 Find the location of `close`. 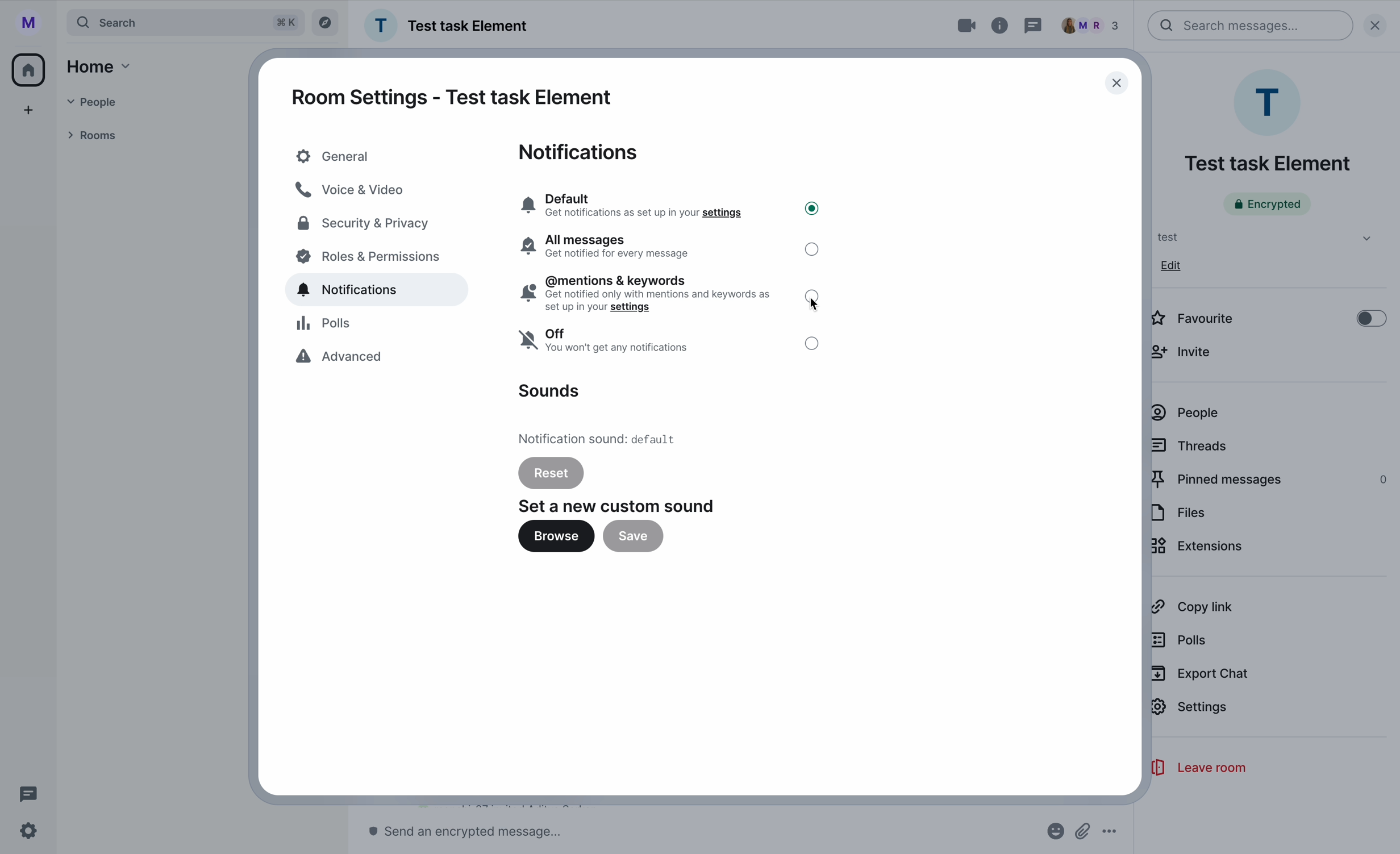

close is located at coordinates (1380, 24).